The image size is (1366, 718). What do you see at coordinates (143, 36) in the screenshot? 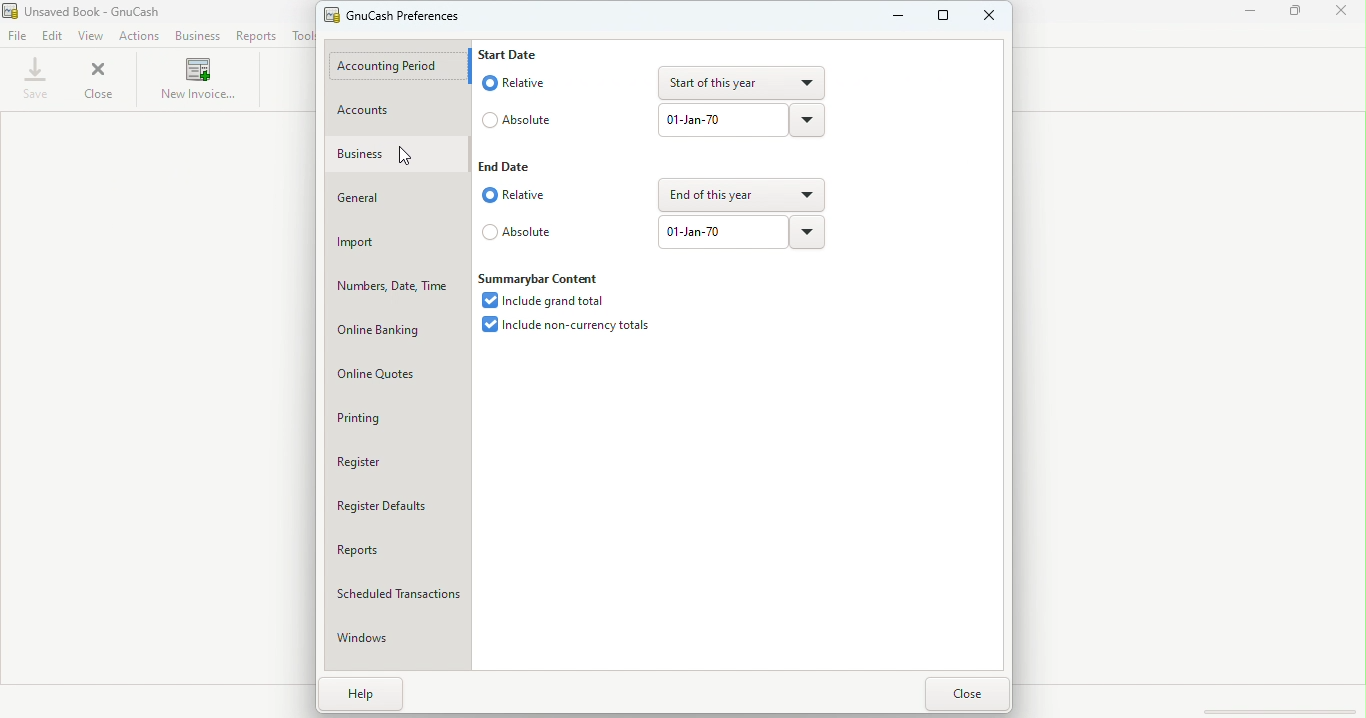
I see `Actions` at bounding box center [143, 36].